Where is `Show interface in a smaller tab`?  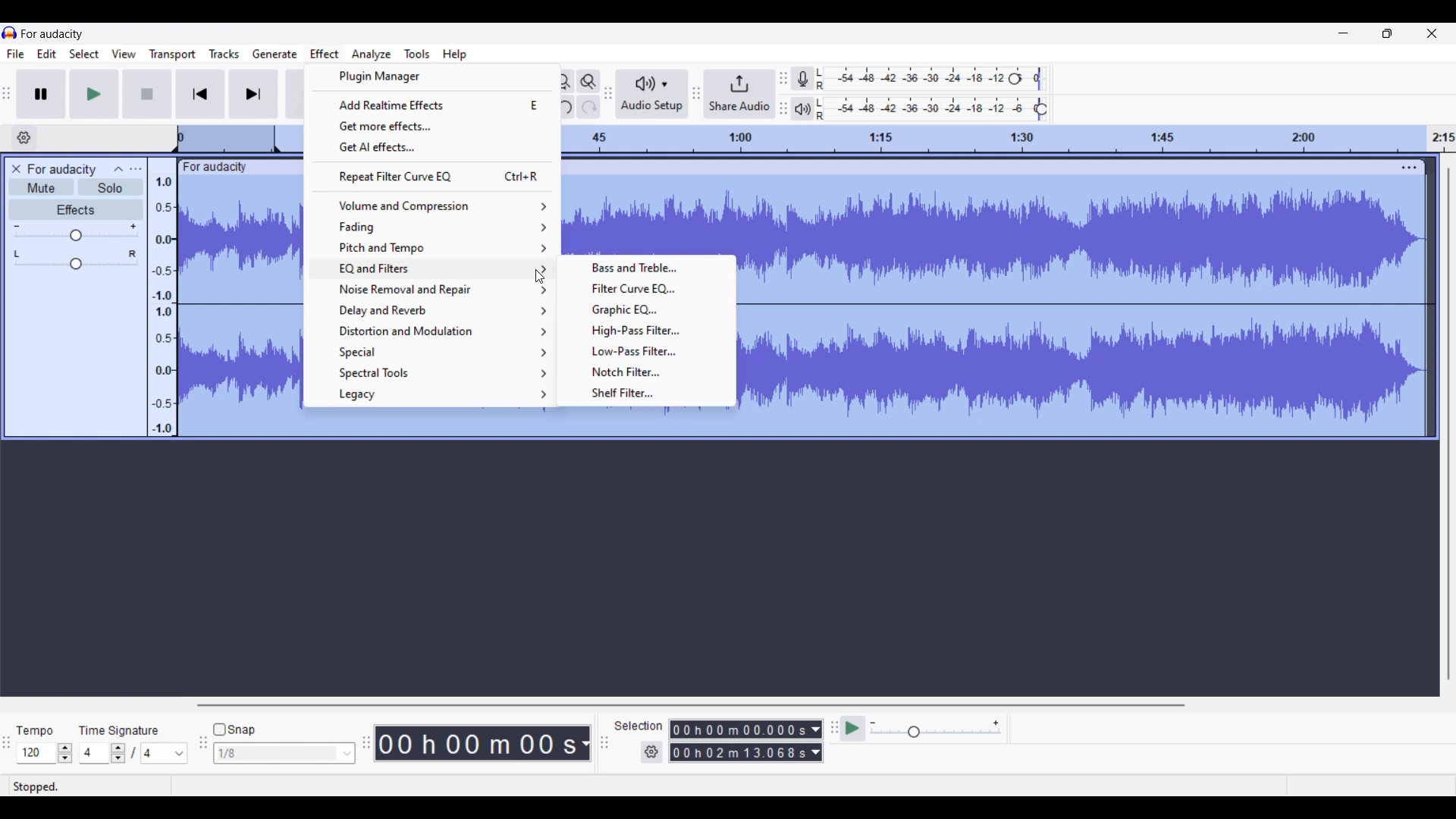 Show interface in a smaller tab is located at coordinates (1387, 33).